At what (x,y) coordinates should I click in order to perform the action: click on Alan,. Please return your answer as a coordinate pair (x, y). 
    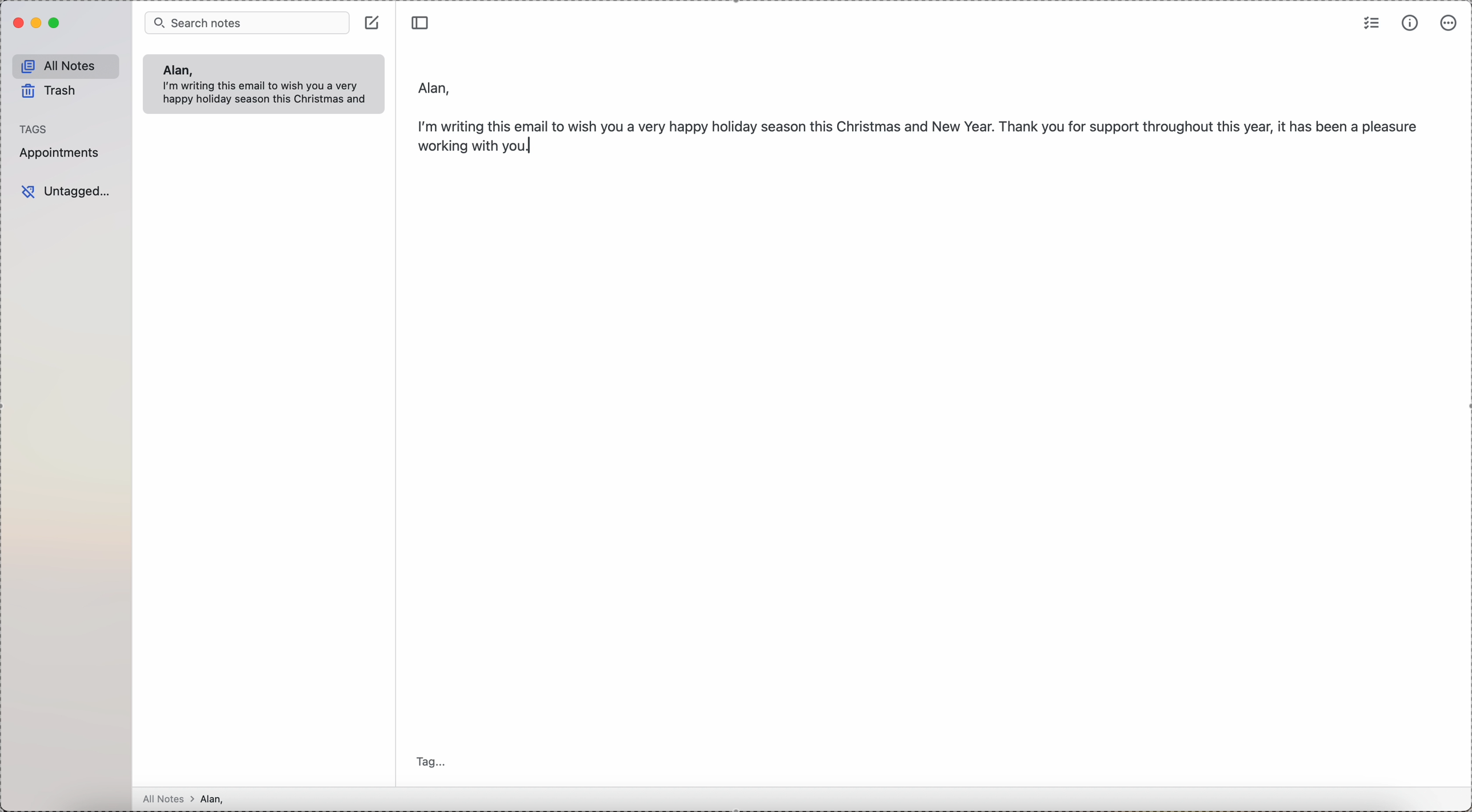
    Looking at the image, I should click on (177, 70).